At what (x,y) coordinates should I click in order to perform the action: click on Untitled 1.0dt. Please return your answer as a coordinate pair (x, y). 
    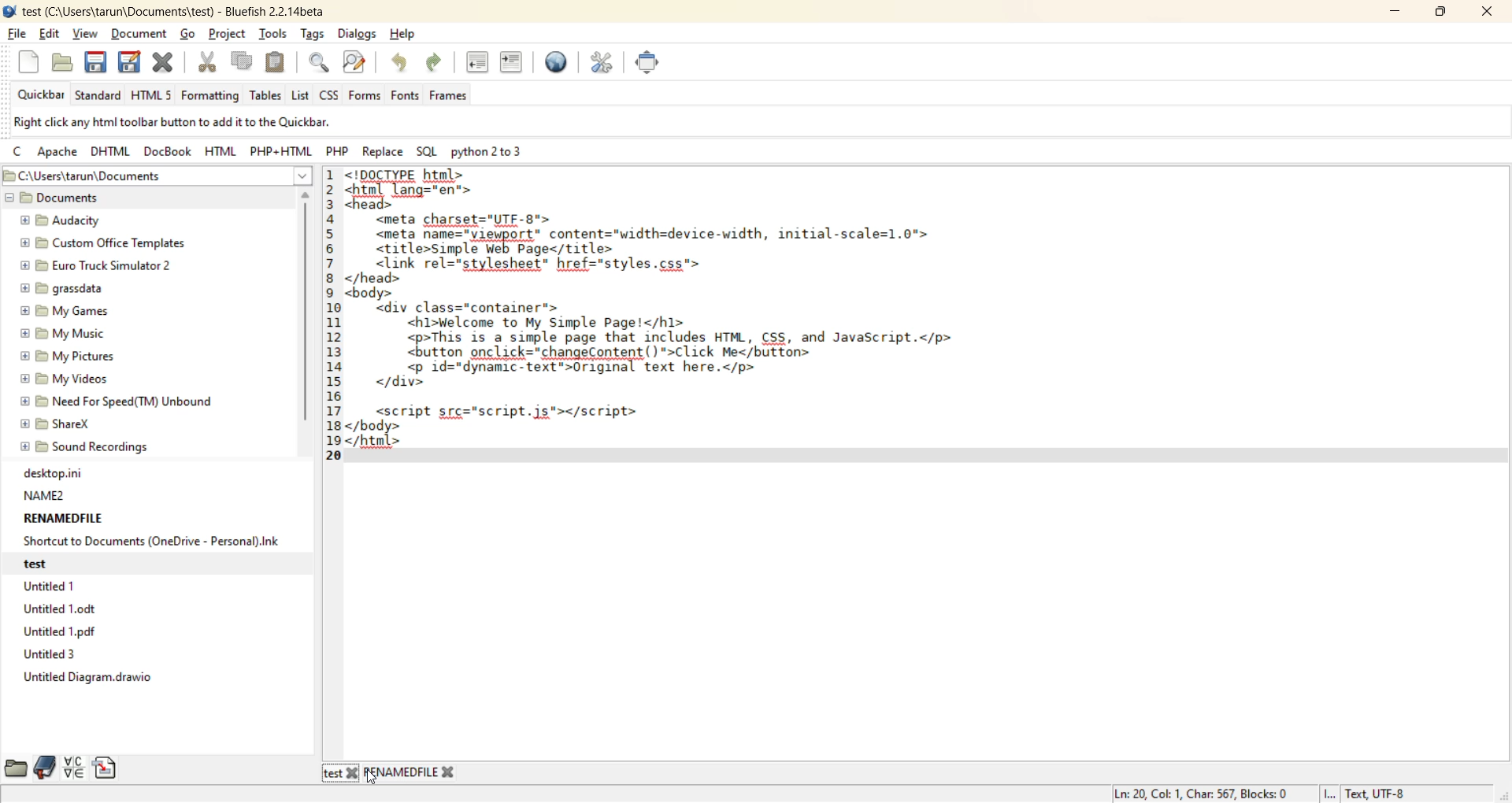
    Looking at the image, I should click on (73, 608).